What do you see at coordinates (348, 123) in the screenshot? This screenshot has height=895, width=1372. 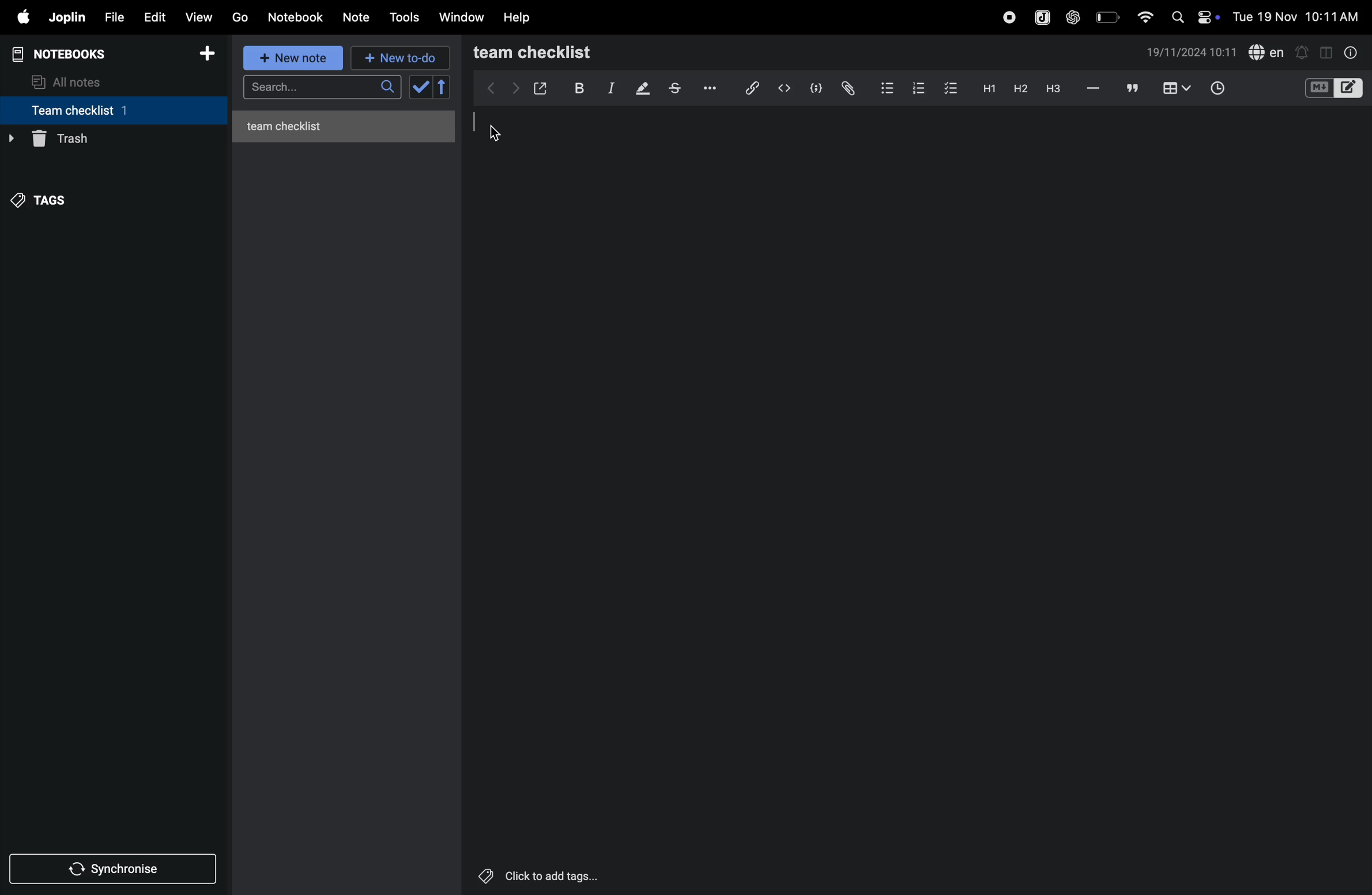 I see `untitled` at bounding box center [348, 123].